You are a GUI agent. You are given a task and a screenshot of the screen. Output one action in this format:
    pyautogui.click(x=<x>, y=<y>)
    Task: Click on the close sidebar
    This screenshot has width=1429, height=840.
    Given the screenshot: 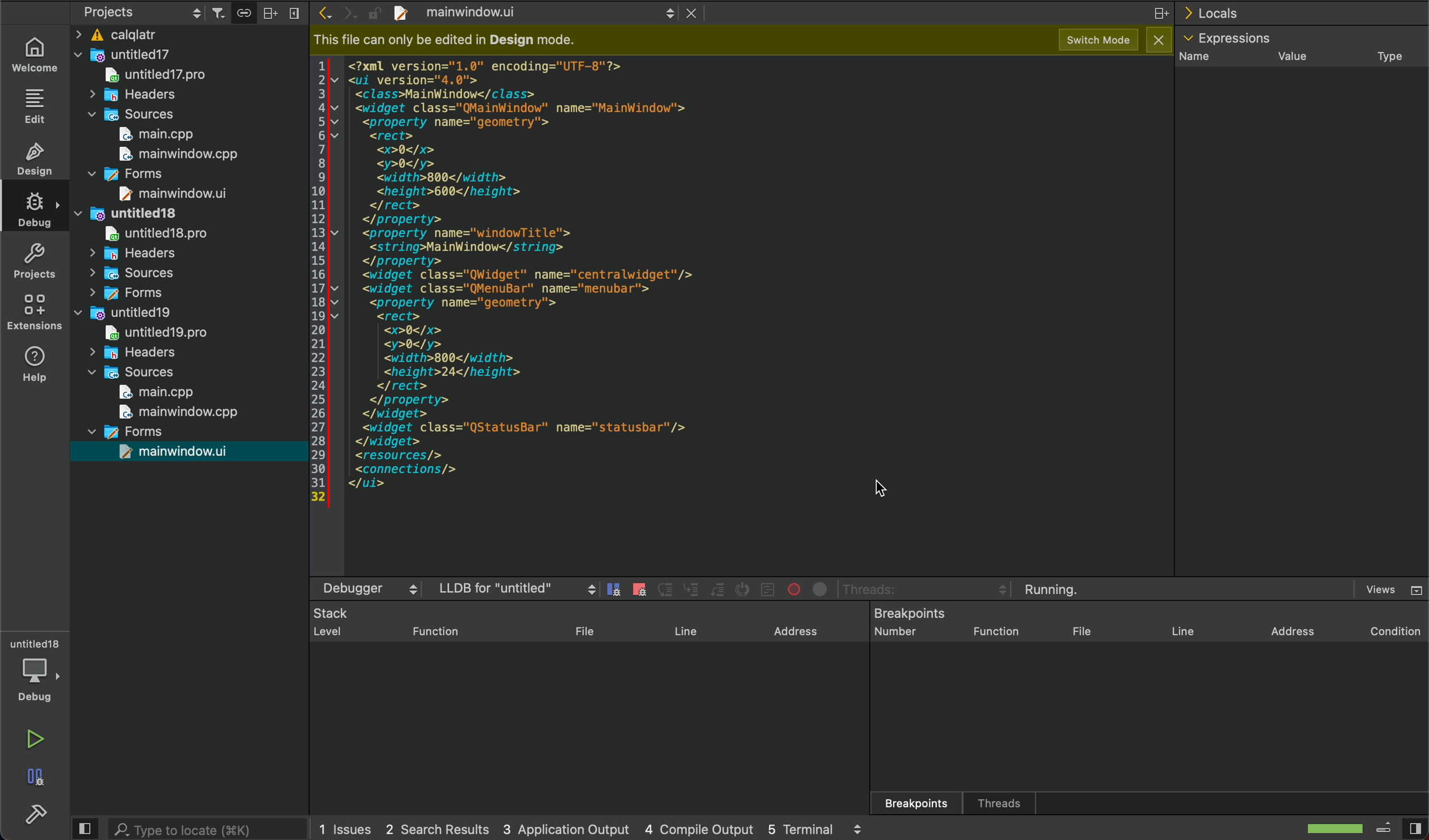 What is the action you would take?
    pyautogui.click(x=1400, y=827)
    